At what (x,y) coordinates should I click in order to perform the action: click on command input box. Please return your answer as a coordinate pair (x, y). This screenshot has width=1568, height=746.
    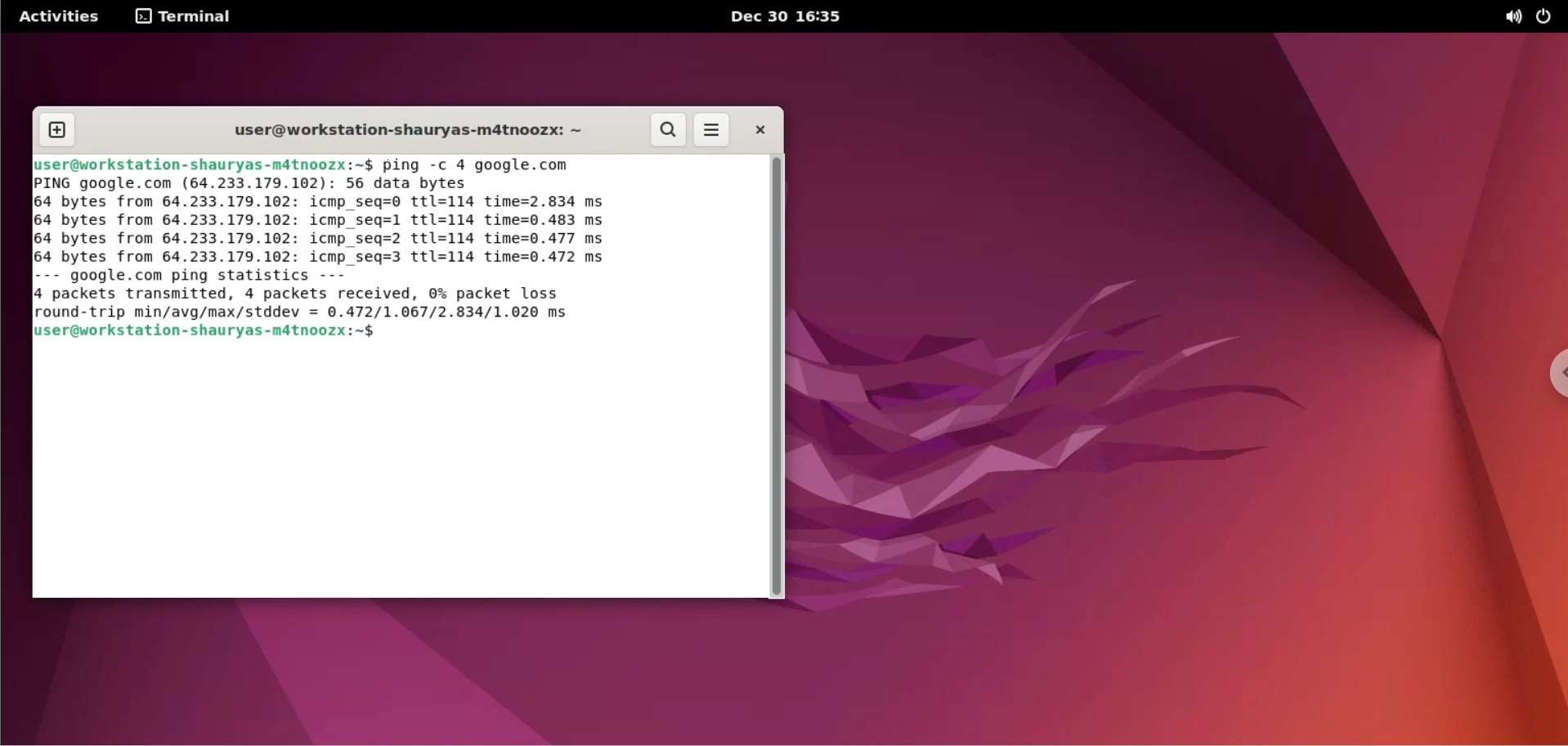
    Looking at the image, I should click on (395, 471).